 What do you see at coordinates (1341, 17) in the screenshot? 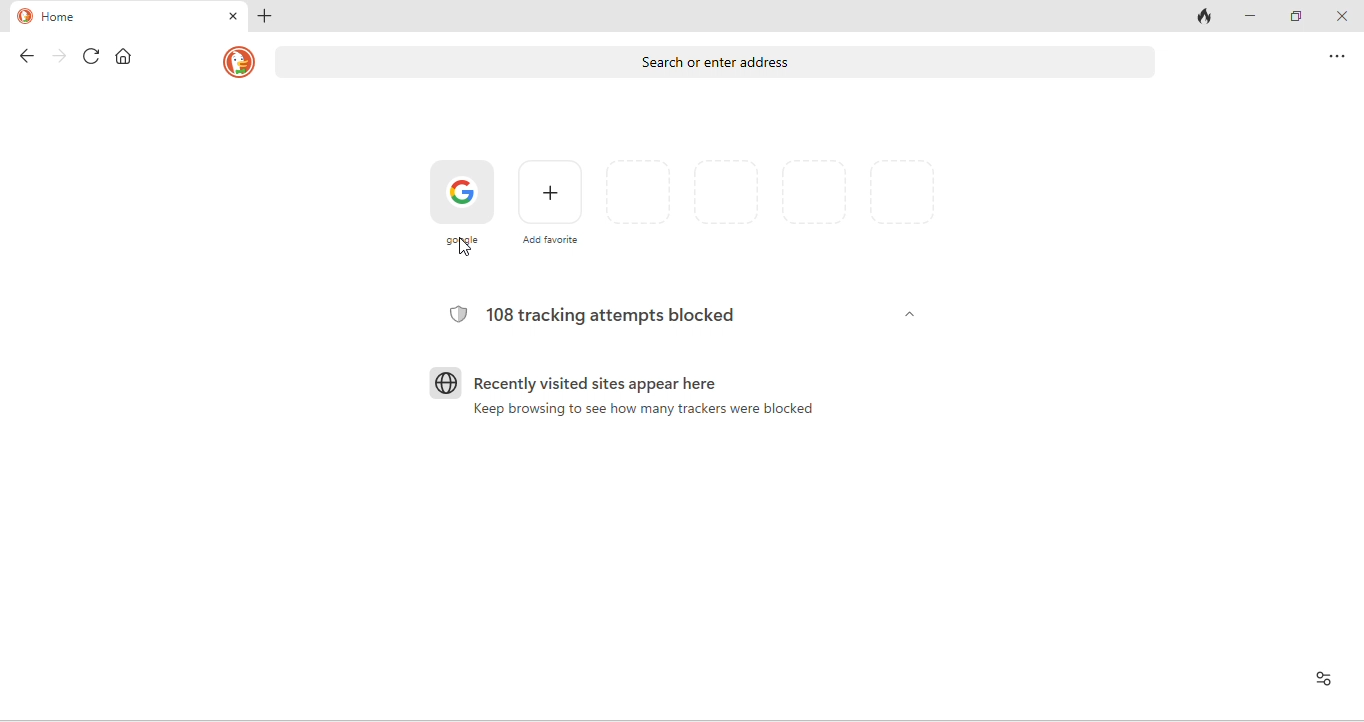
I see `close` at bounding box center [1341, 17].